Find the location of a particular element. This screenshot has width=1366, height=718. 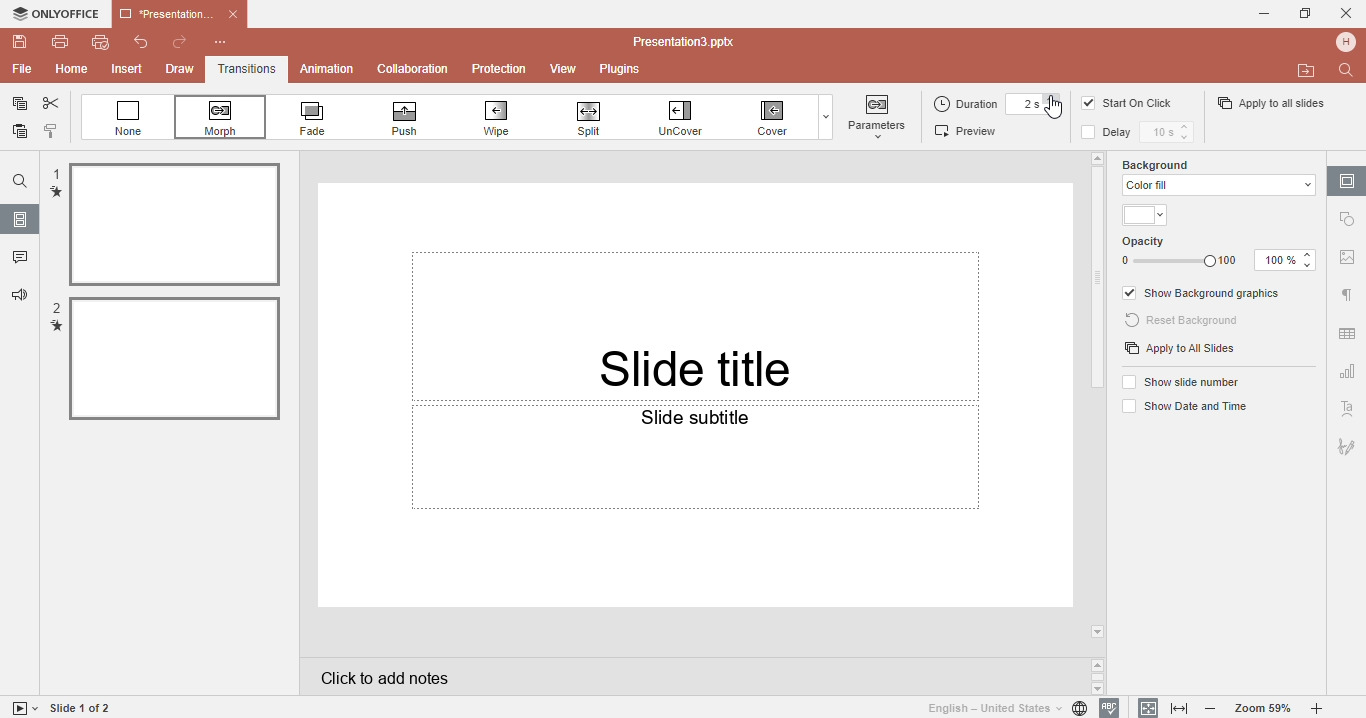

Push is located at coordinates (421, 118).